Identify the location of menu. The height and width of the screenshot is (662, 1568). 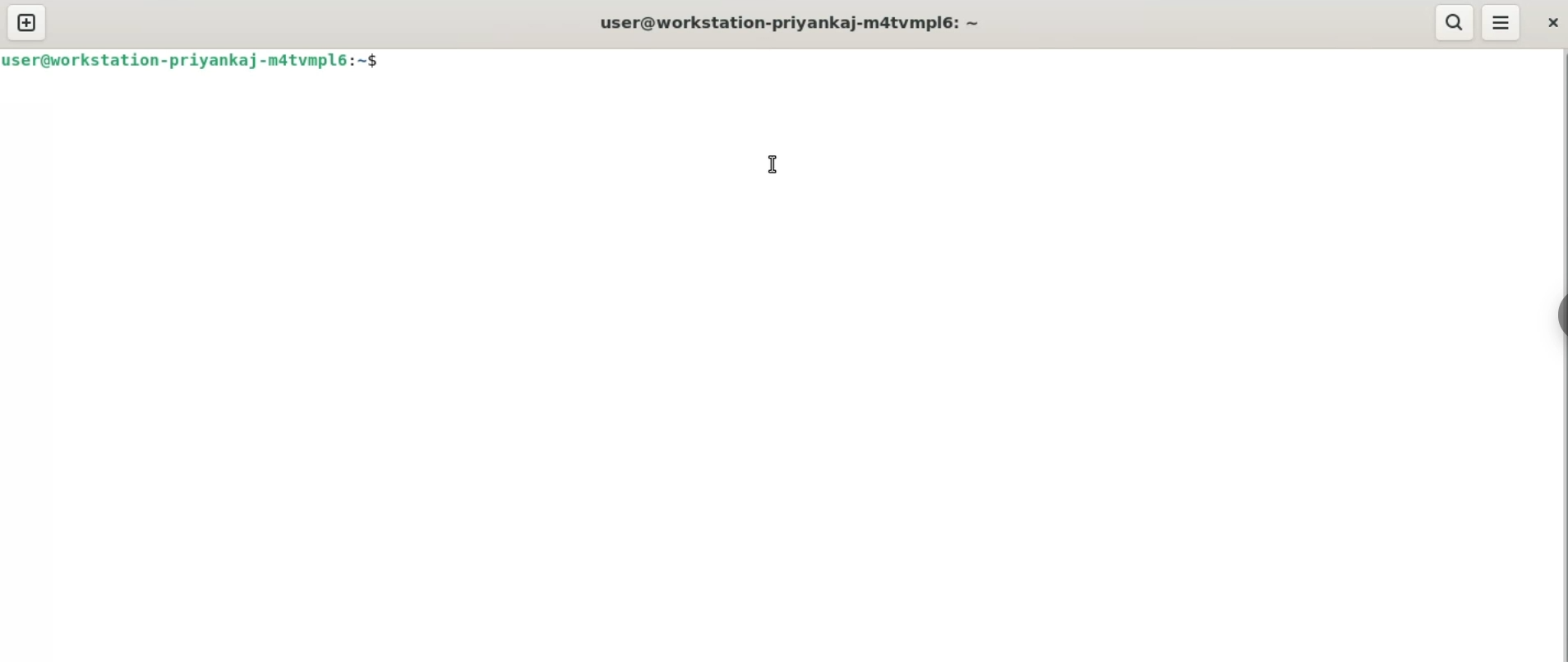
(1502, 22).